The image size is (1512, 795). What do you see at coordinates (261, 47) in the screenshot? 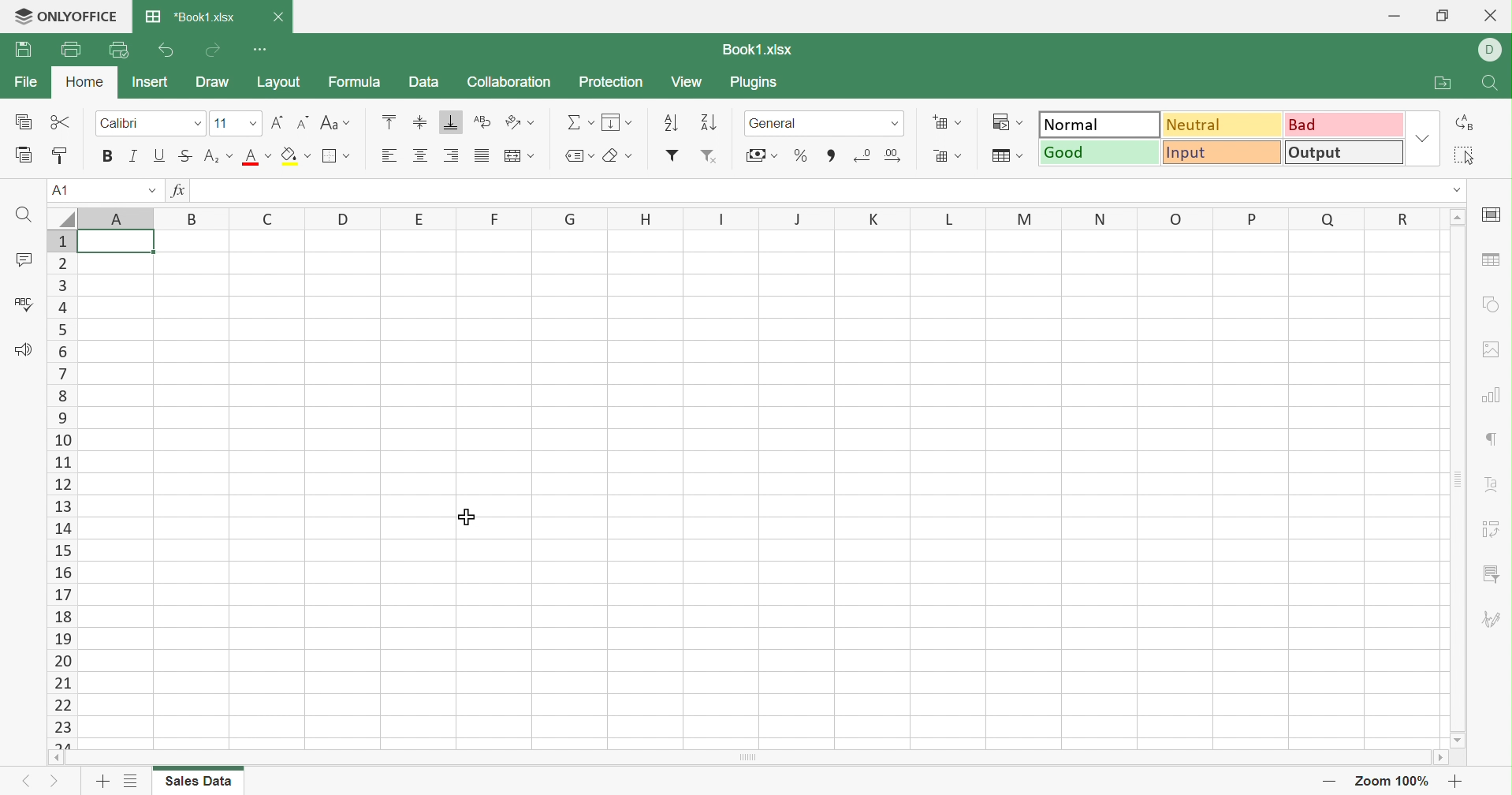
I see `Customize Quick Access Toolbar` at bounding box center [261, 47].